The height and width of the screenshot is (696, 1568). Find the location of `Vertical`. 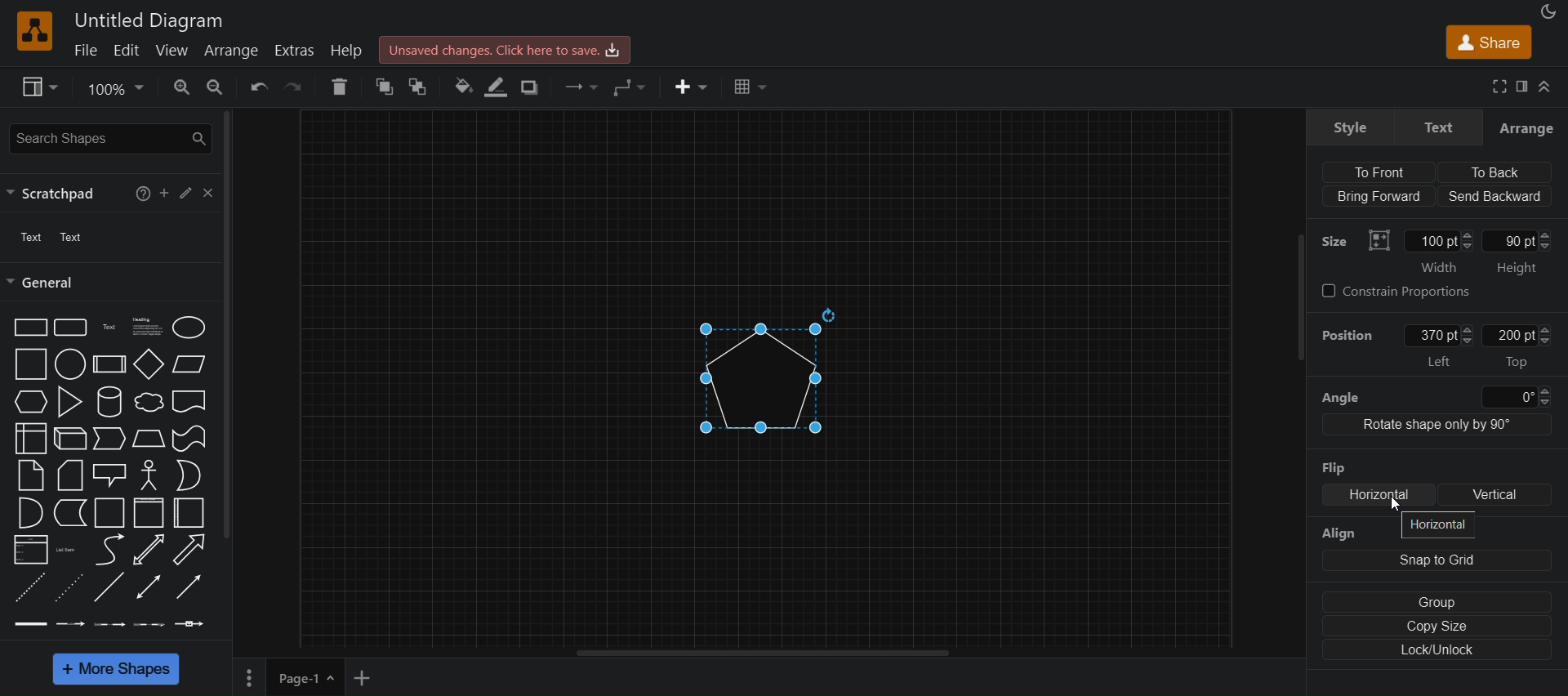

Vertical is located at coordinates (1494, 495).